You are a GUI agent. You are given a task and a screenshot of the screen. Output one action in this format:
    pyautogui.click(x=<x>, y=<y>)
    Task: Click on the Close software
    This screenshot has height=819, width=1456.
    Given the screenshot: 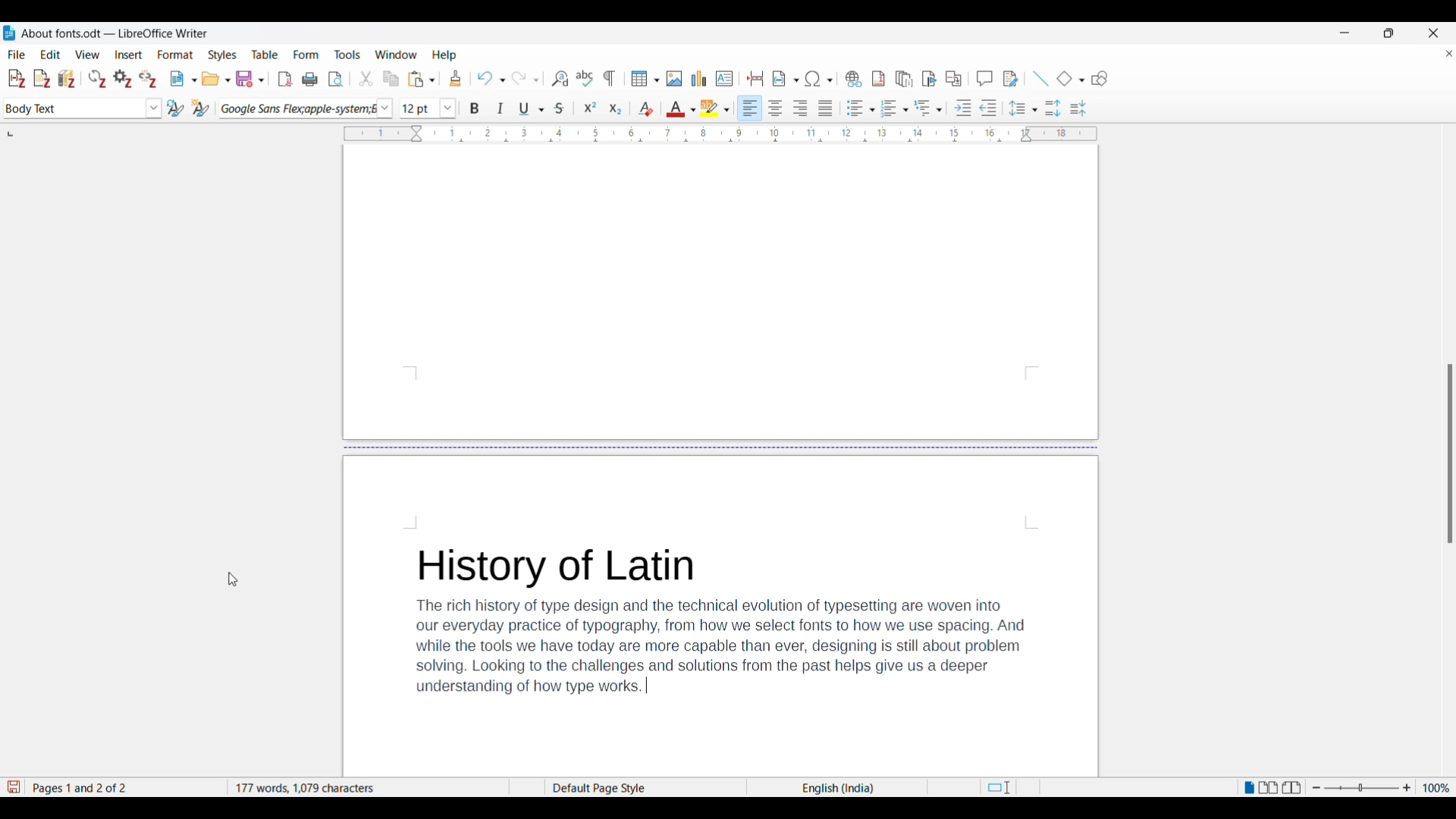 What is the action you would take?
    pyautogui.click(x=1433, y=33)
    